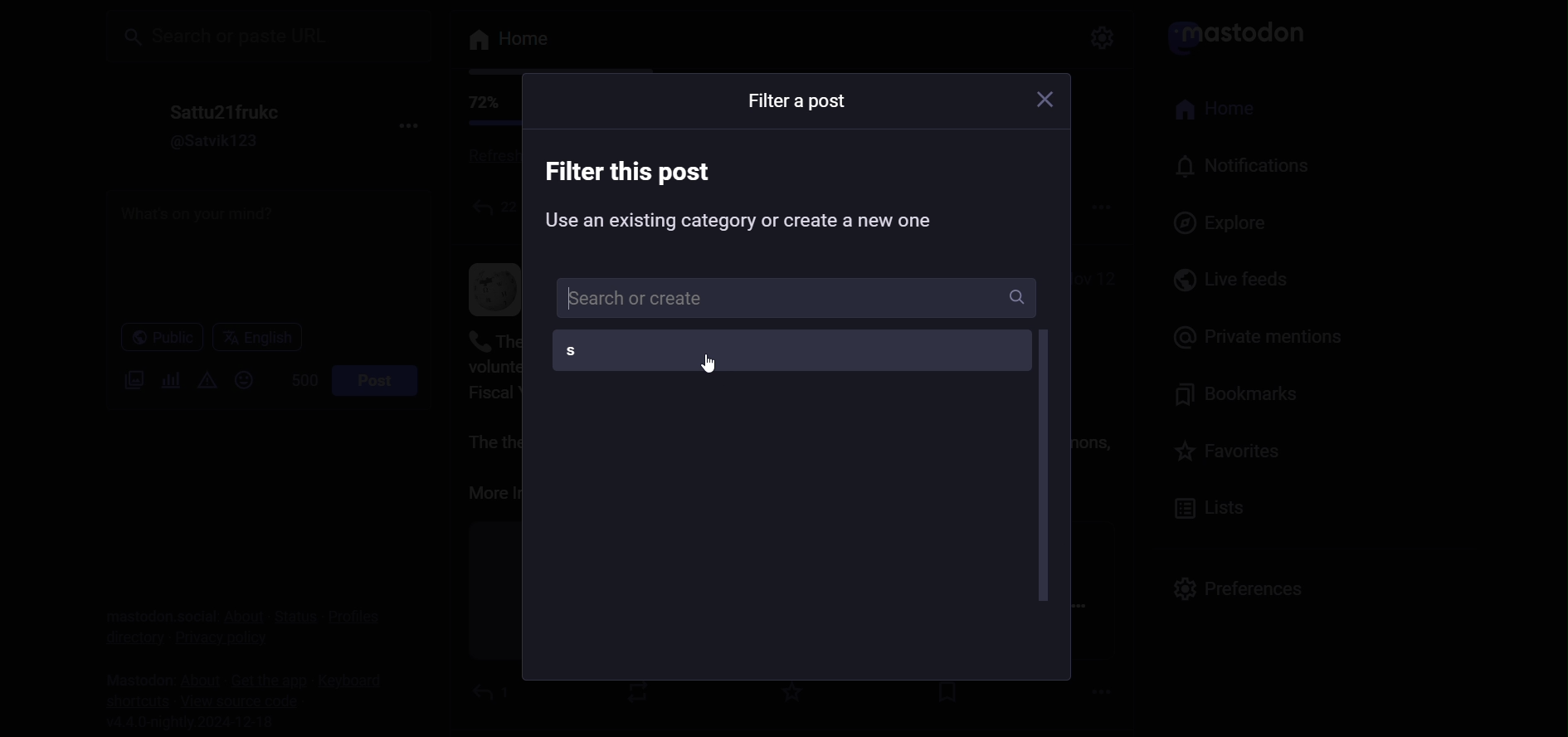 The width and height of the screenshot is (1568, 737). What do you see at coordinates (1235, 279) in the screenshot?
I see `live feed` at bounding box center [1235, 279].